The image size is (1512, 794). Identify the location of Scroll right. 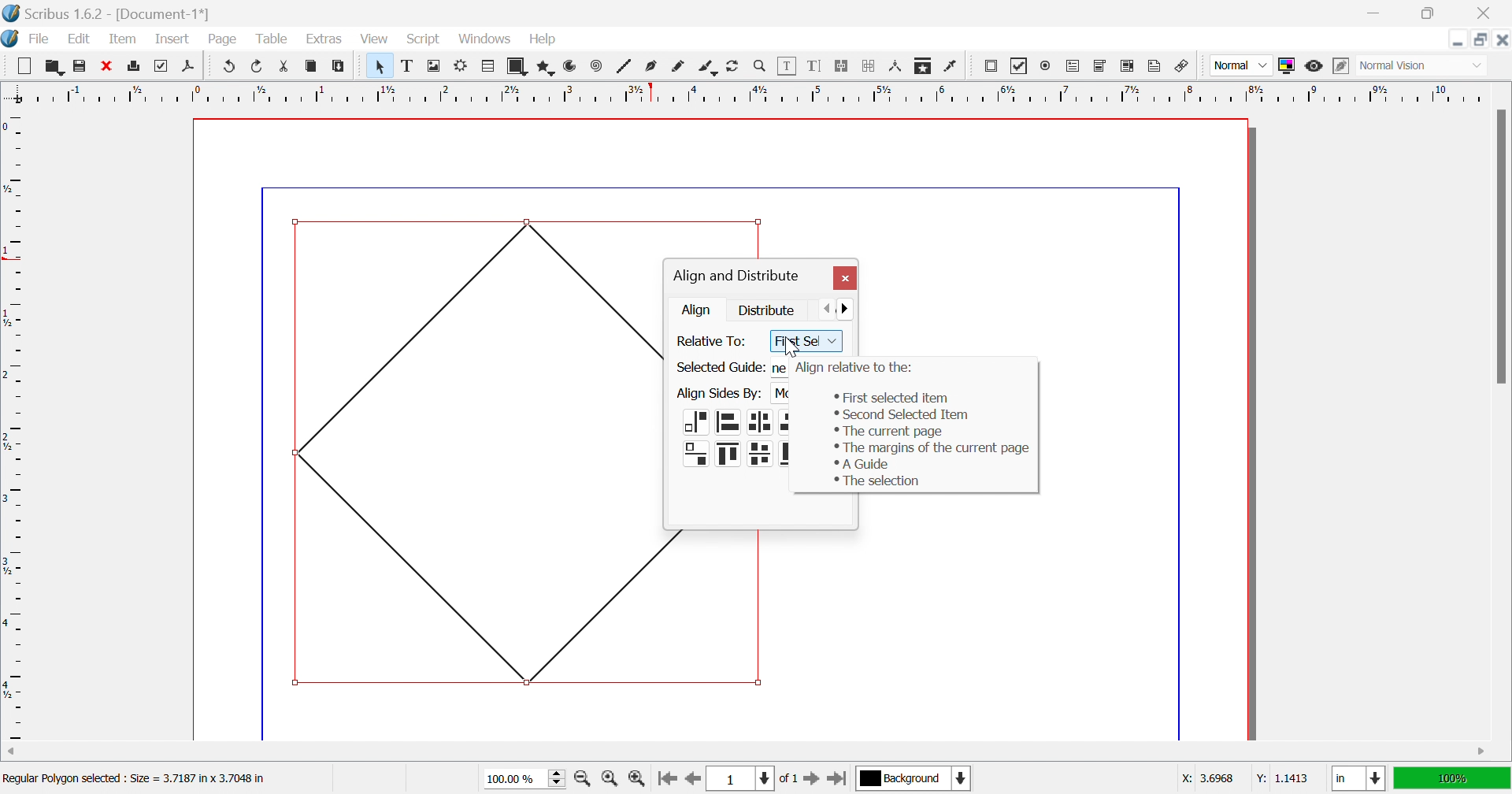
(1483, 752).